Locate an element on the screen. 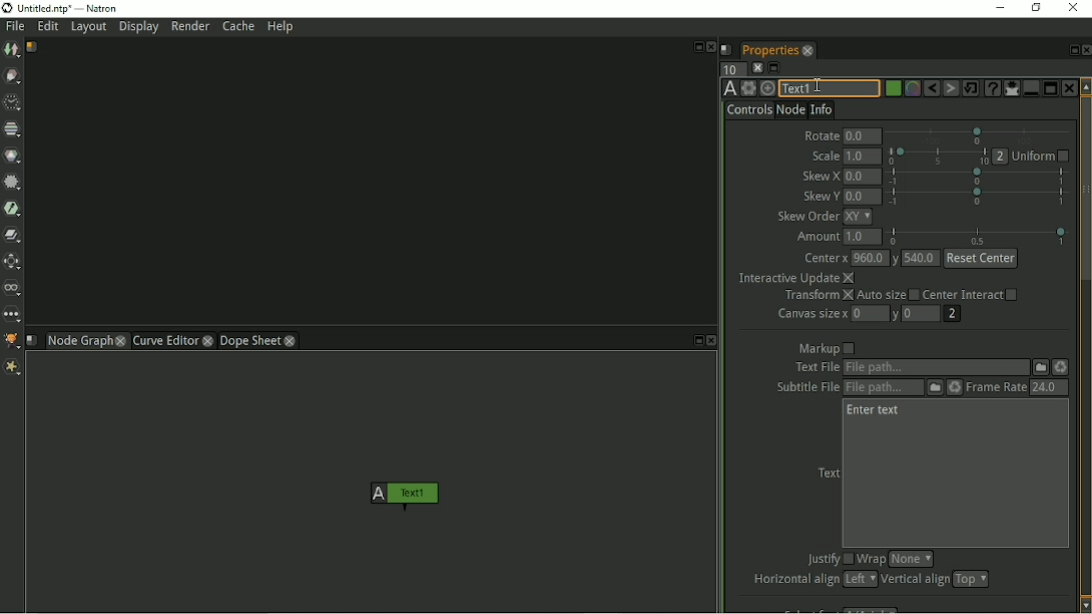  title is located at coordinates (79, 8).